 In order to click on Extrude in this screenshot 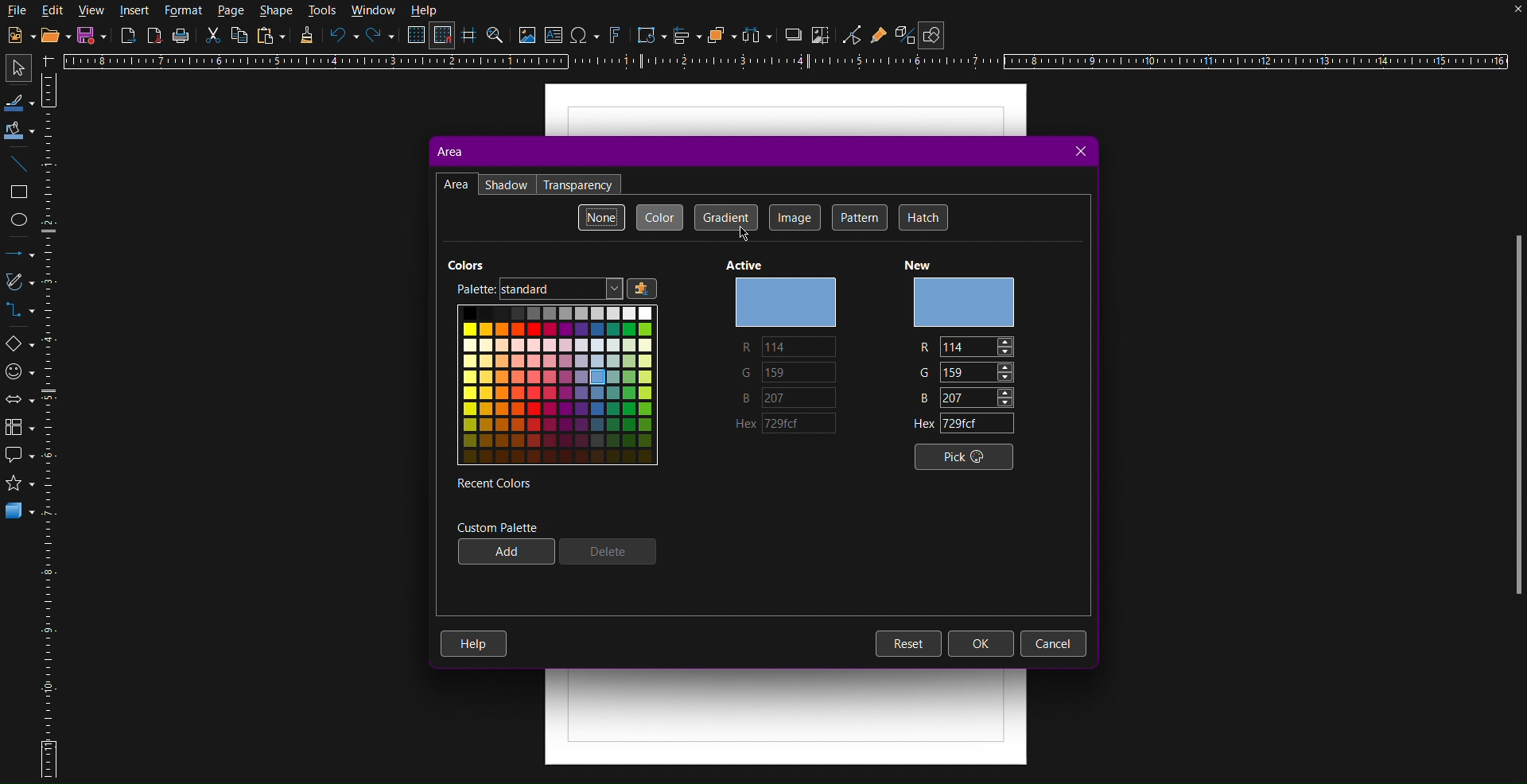, I will do `click(900, 33)`.